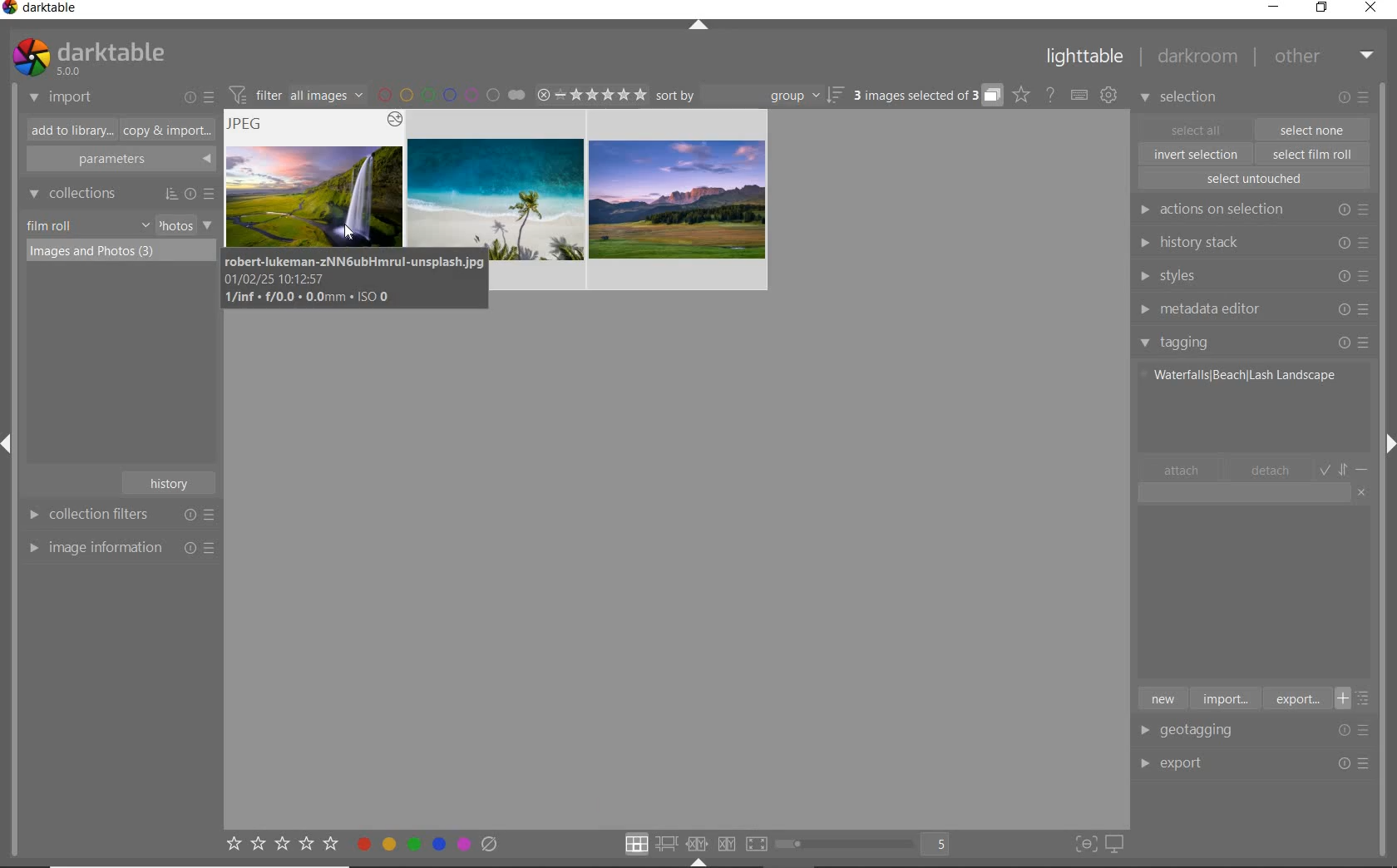 The image size is (1397, 868). Describe the element at coordinates (698, 862) in the screenshot. I see `Expand/Collapse` at that location.